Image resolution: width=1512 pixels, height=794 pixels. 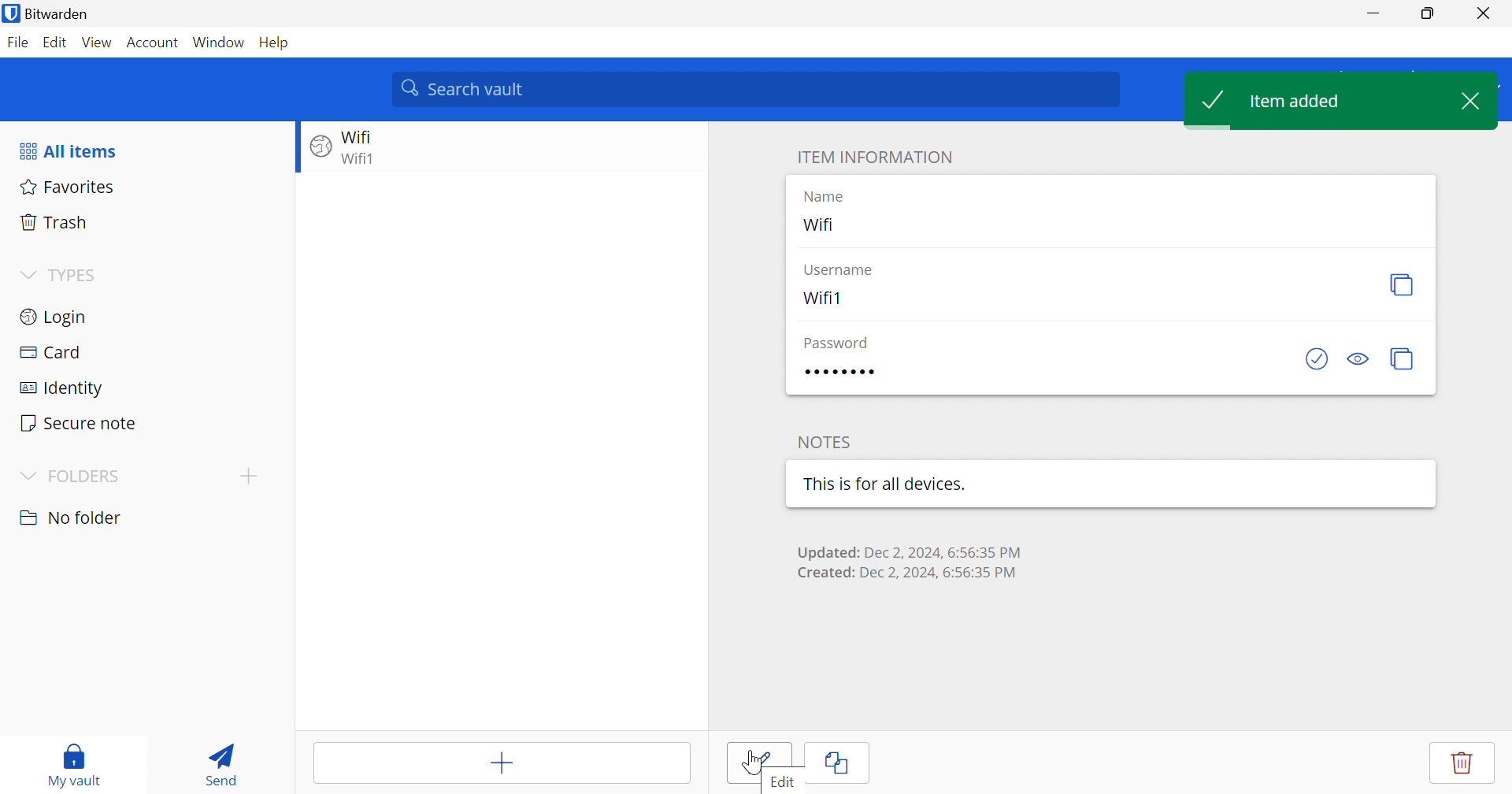 I want to click on Window, so click(x=220, y=43).